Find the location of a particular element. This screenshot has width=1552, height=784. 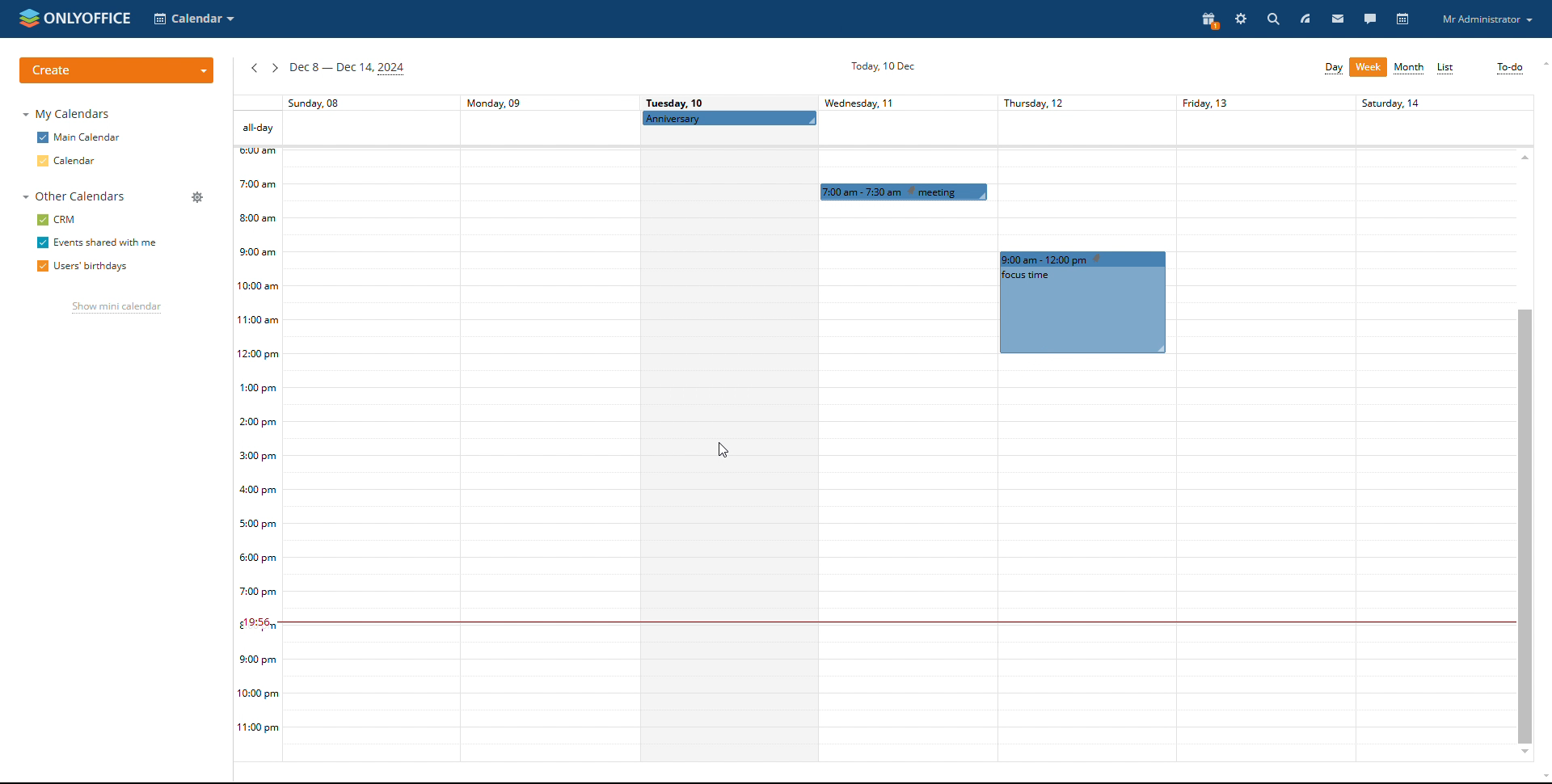

calendar is located at coordinates (78, 161).